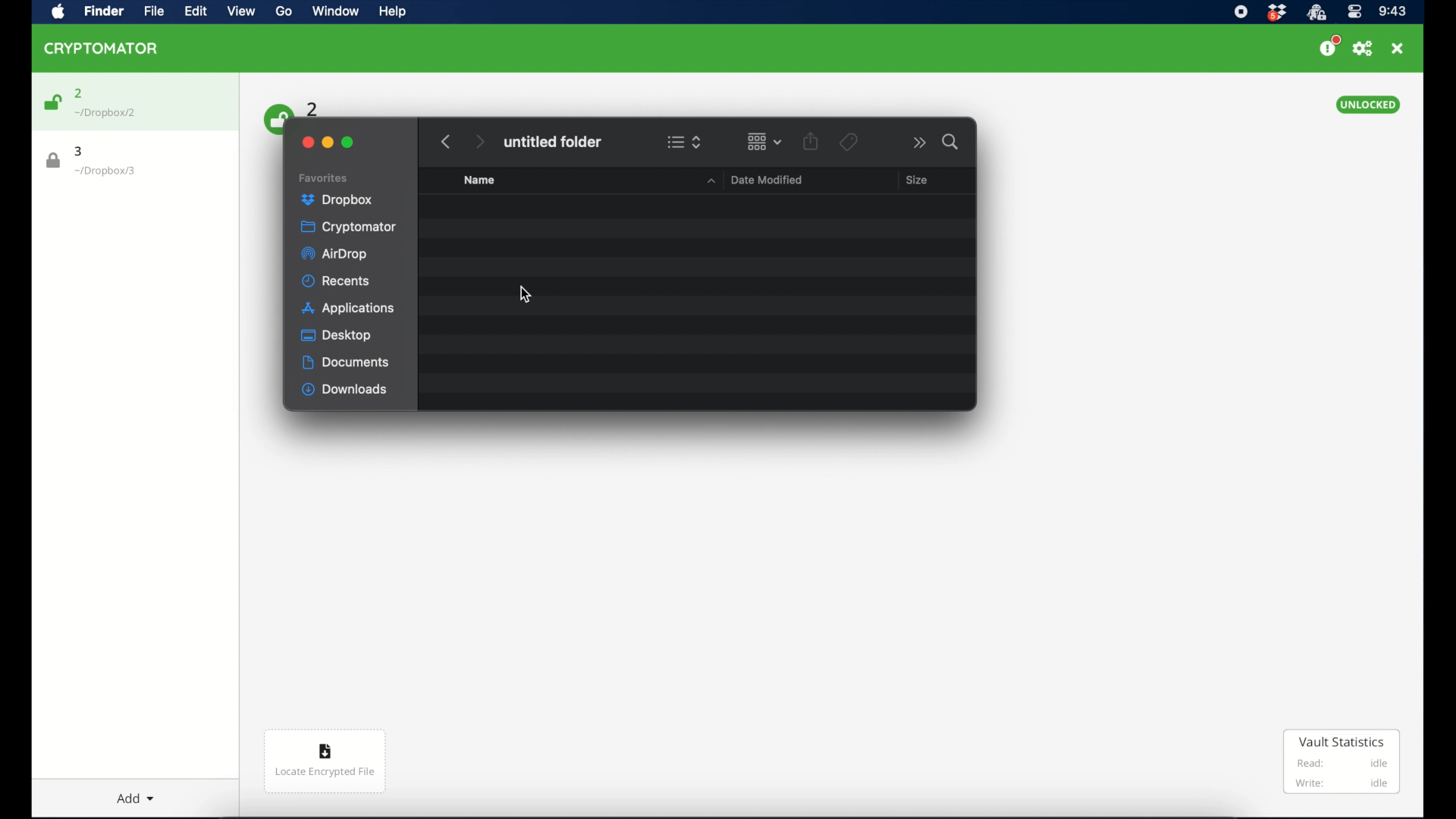 This screenshot has height=819, width=1456. I want to click on share, so click(811, 141).